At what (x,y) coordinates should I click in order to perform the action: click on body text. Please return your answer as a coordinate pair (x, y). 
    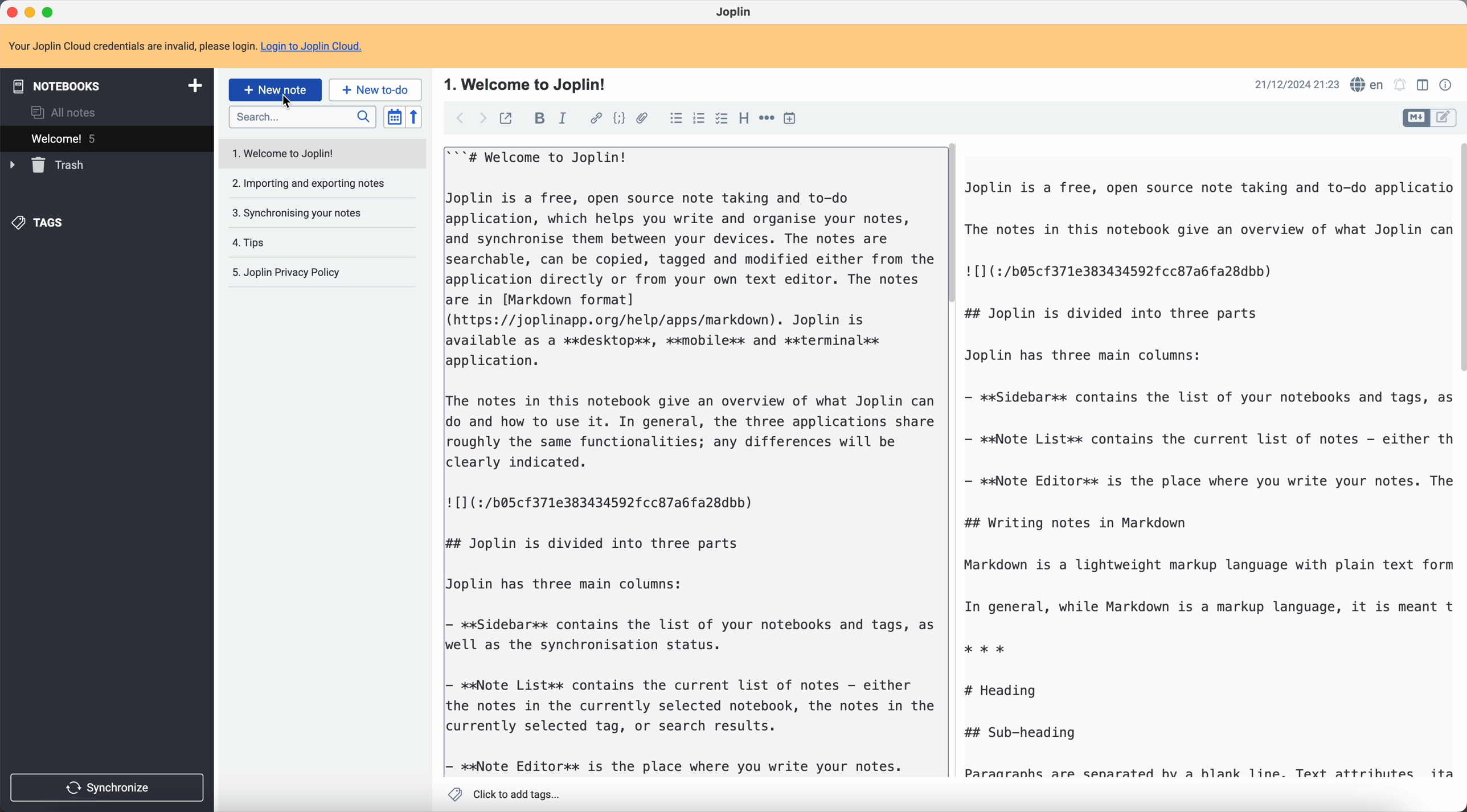
    Looking at the image, I should click on (1205, 475).